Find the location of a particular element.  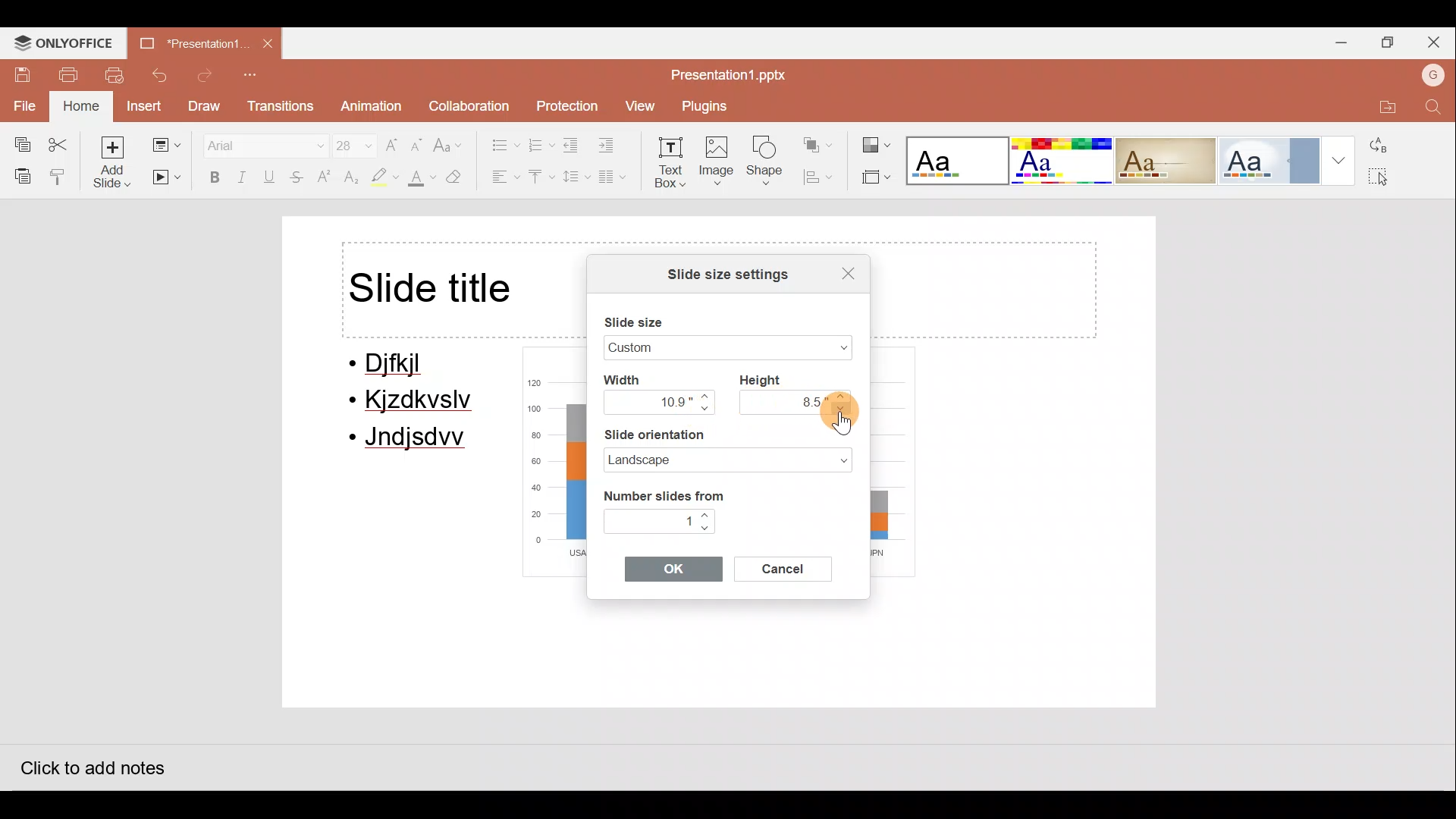

Increase indent is located at coordinates (616, 146).